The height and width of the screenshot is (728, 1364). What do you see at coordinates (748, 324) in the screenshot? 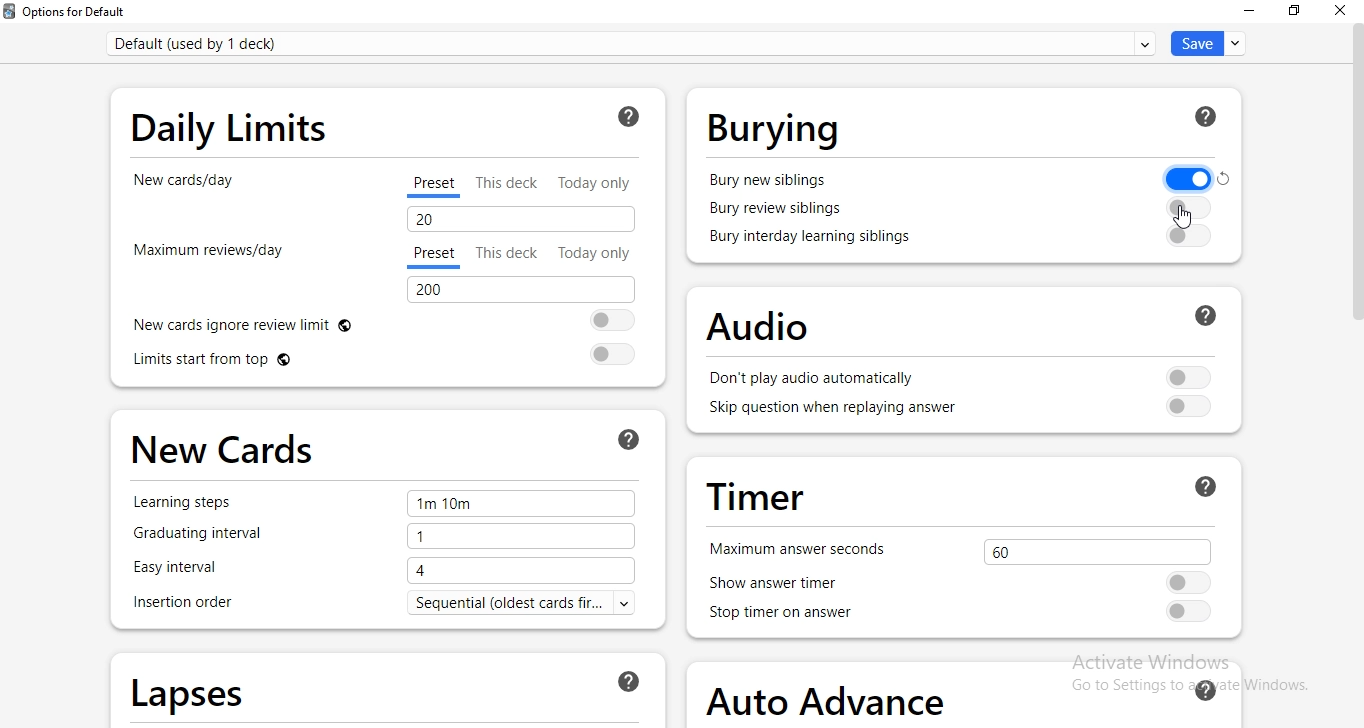
I see `audio` at bounding box center [748, 324].